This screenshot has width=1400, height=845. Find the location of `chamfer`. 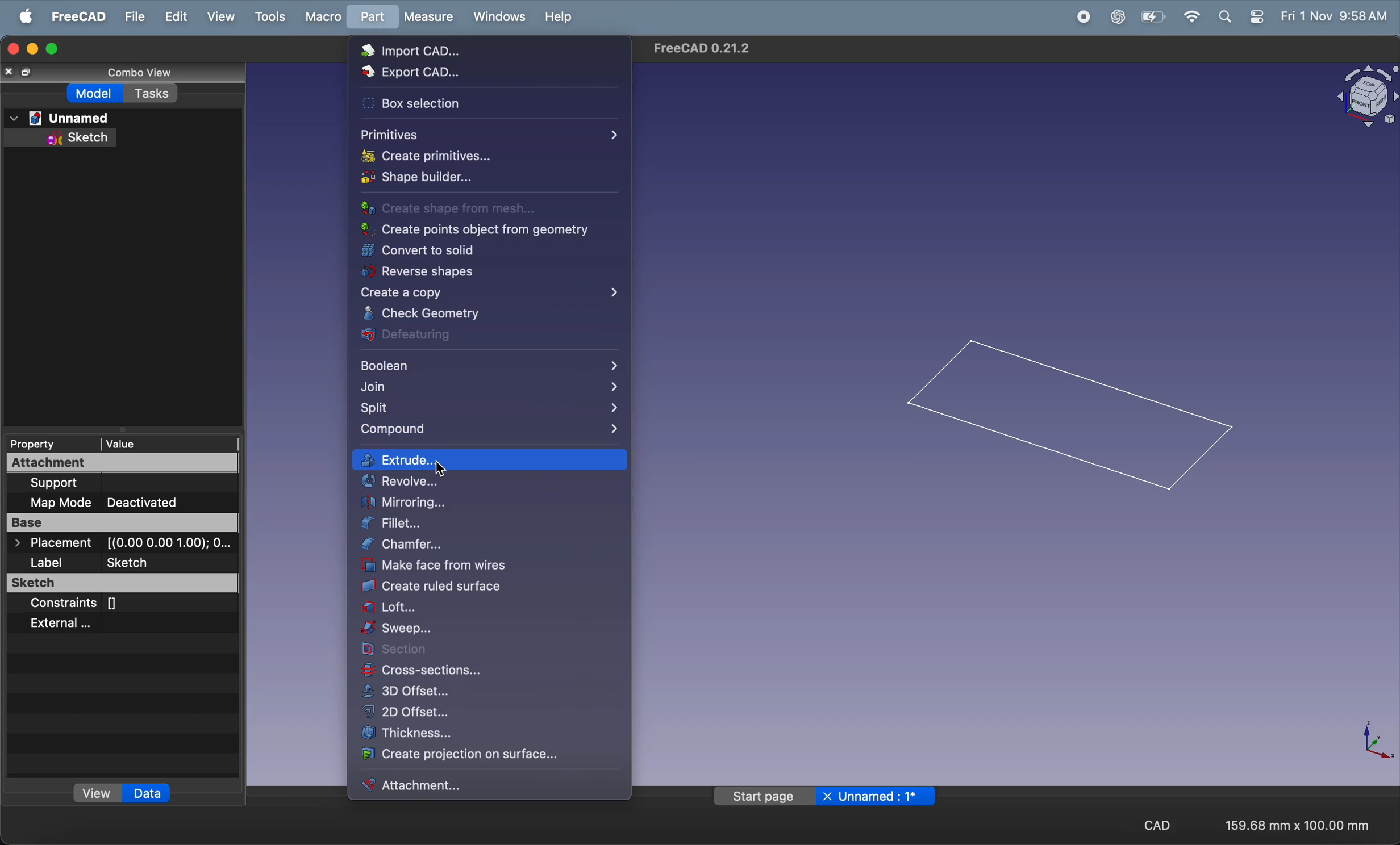

chamfer is located at coordinates (485, 545).